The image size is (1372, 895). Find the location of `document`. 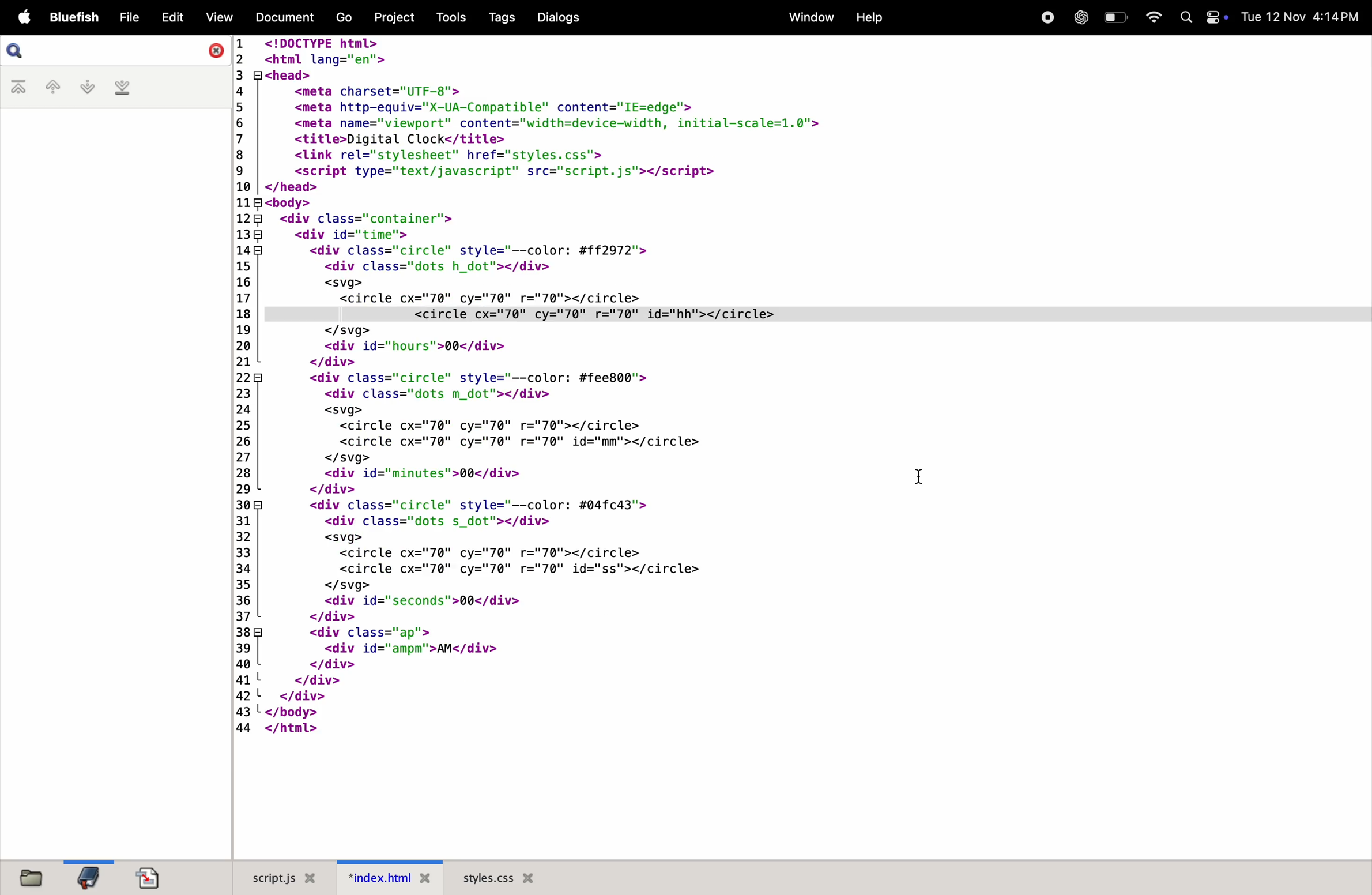

document is located at coordinates (283, 19).